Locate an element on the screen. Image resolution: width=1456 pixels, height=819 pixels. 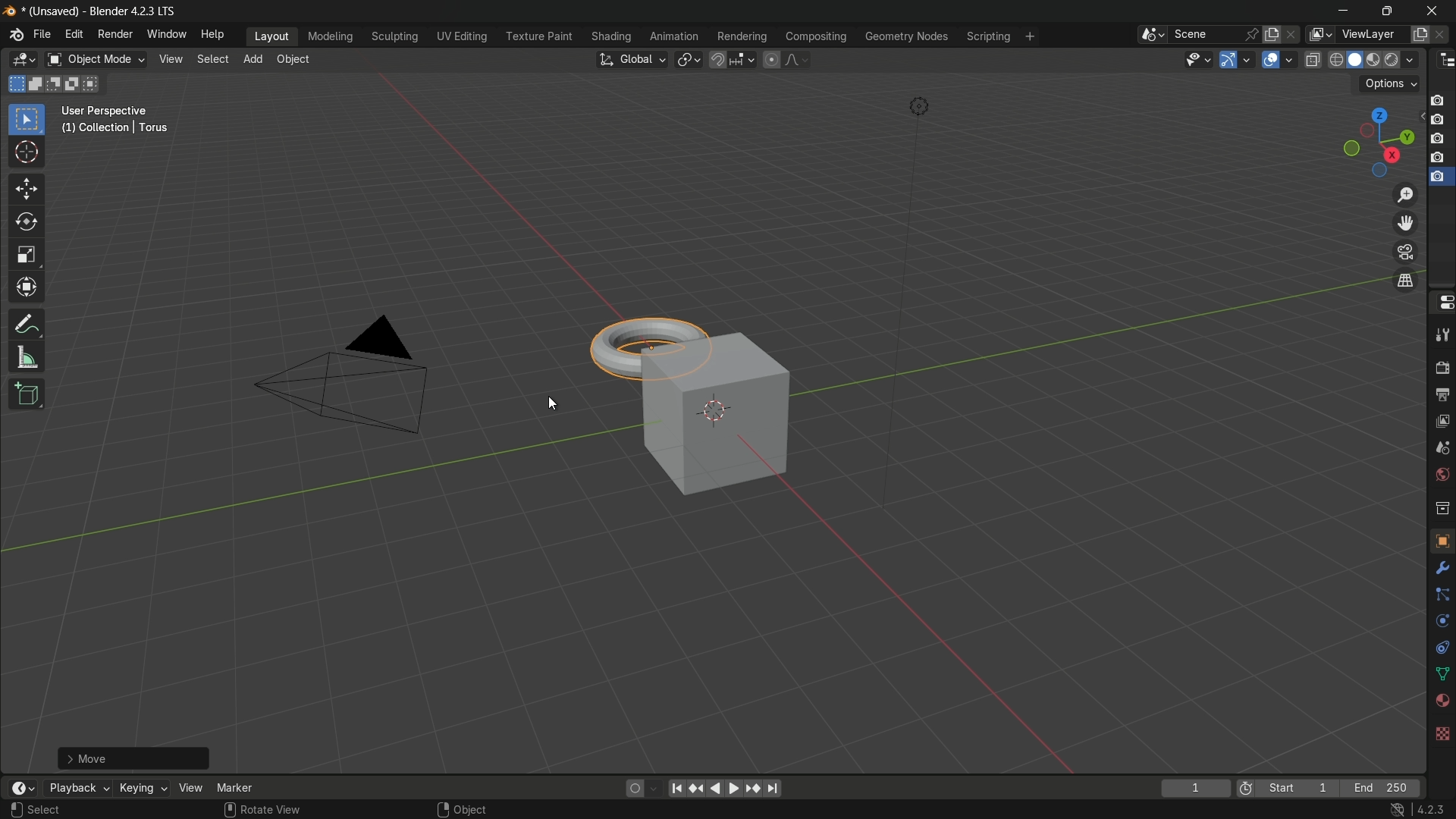
texture paint is located at coordinates (538, 36).